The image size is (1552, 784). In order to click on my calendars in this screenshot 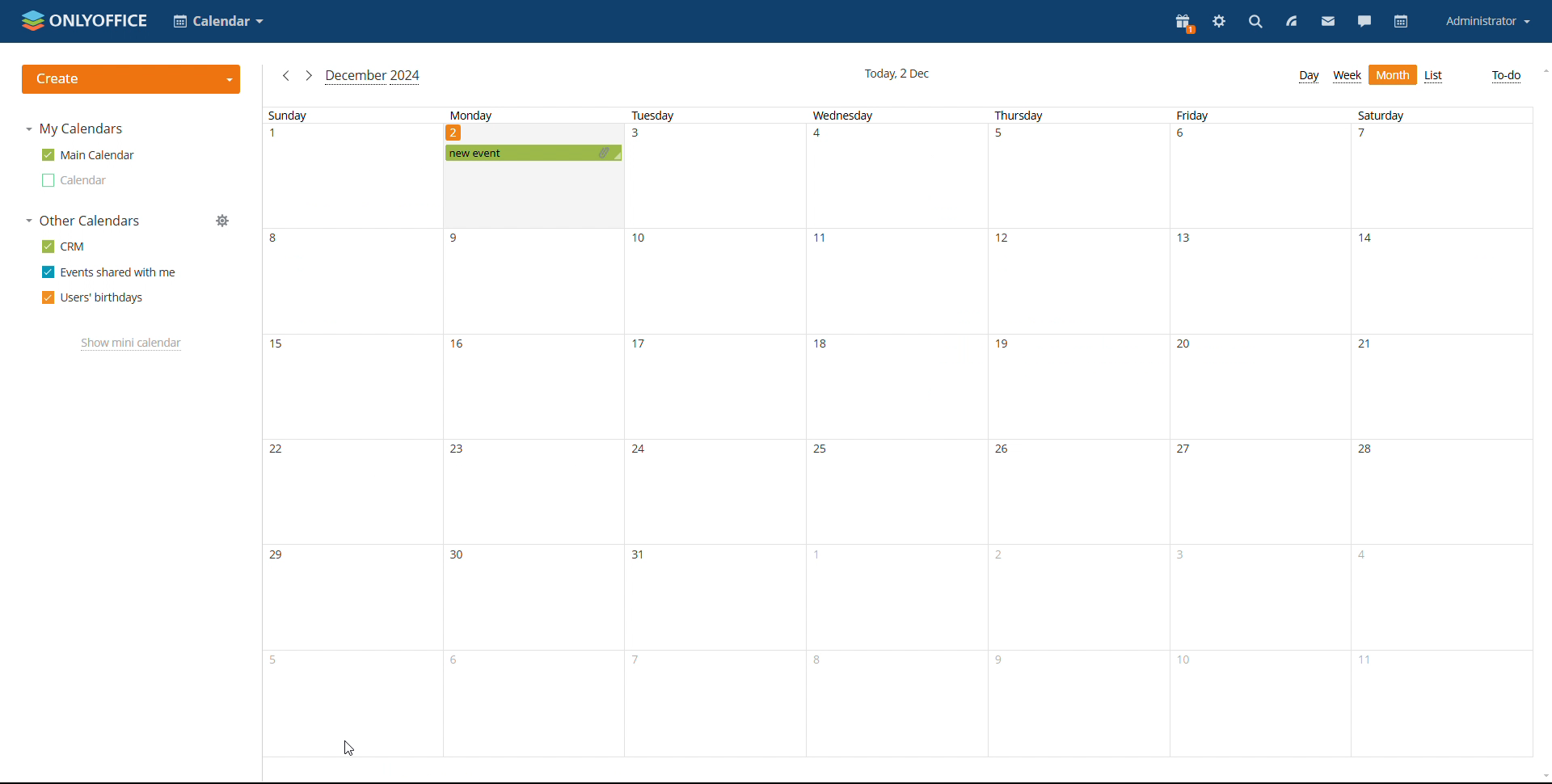, I will do `click(73, 129)`.